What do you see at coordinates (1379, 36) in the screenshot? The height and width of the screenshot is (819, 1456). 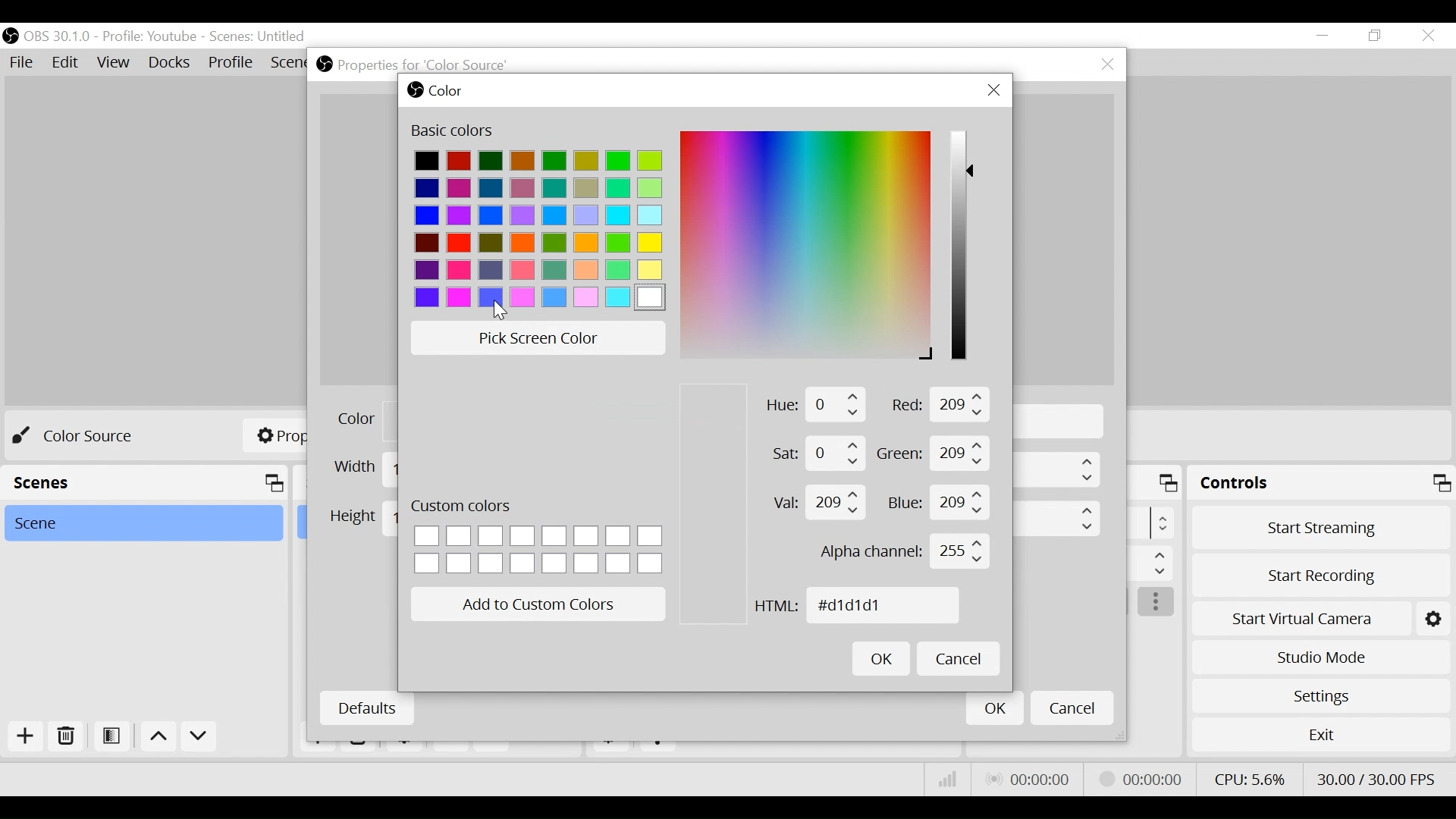 I see `Restore` at bounding box center [1379, 36].